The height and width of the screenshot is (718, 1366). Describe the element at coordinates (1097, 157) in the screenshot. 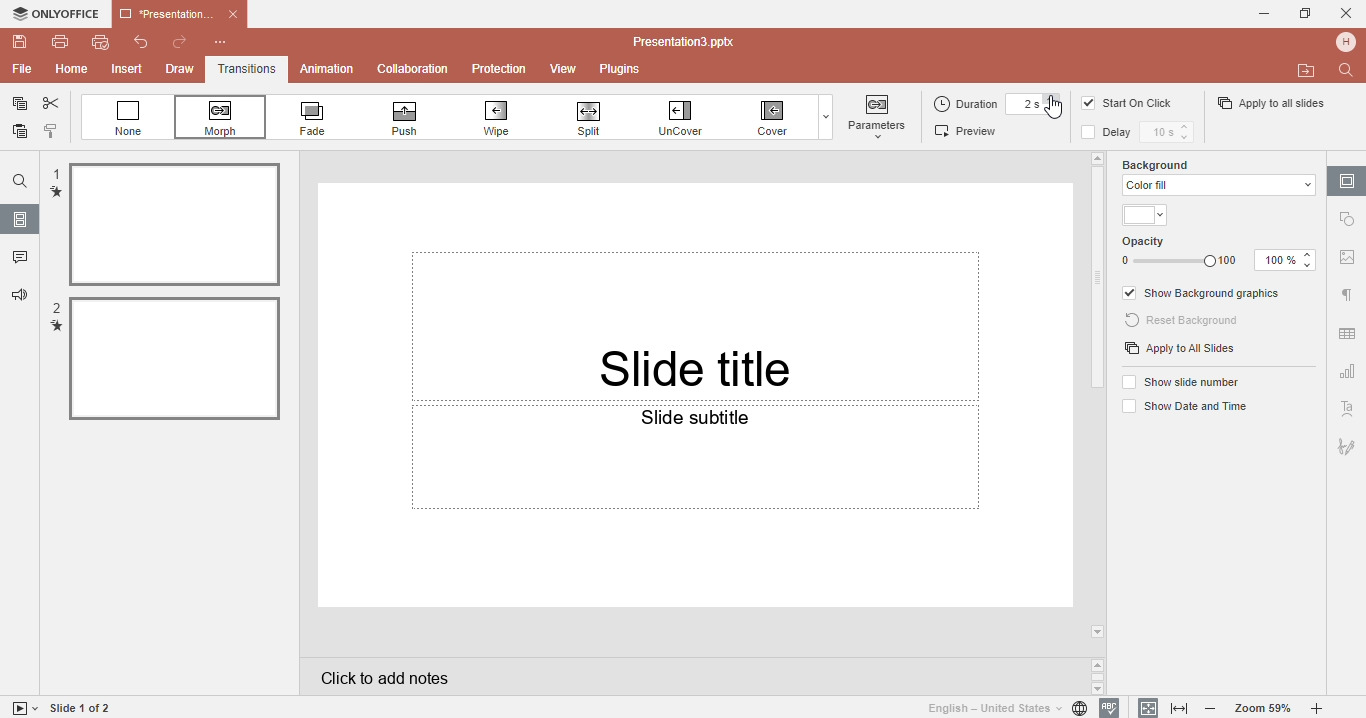

I see `arrow up` at that location.